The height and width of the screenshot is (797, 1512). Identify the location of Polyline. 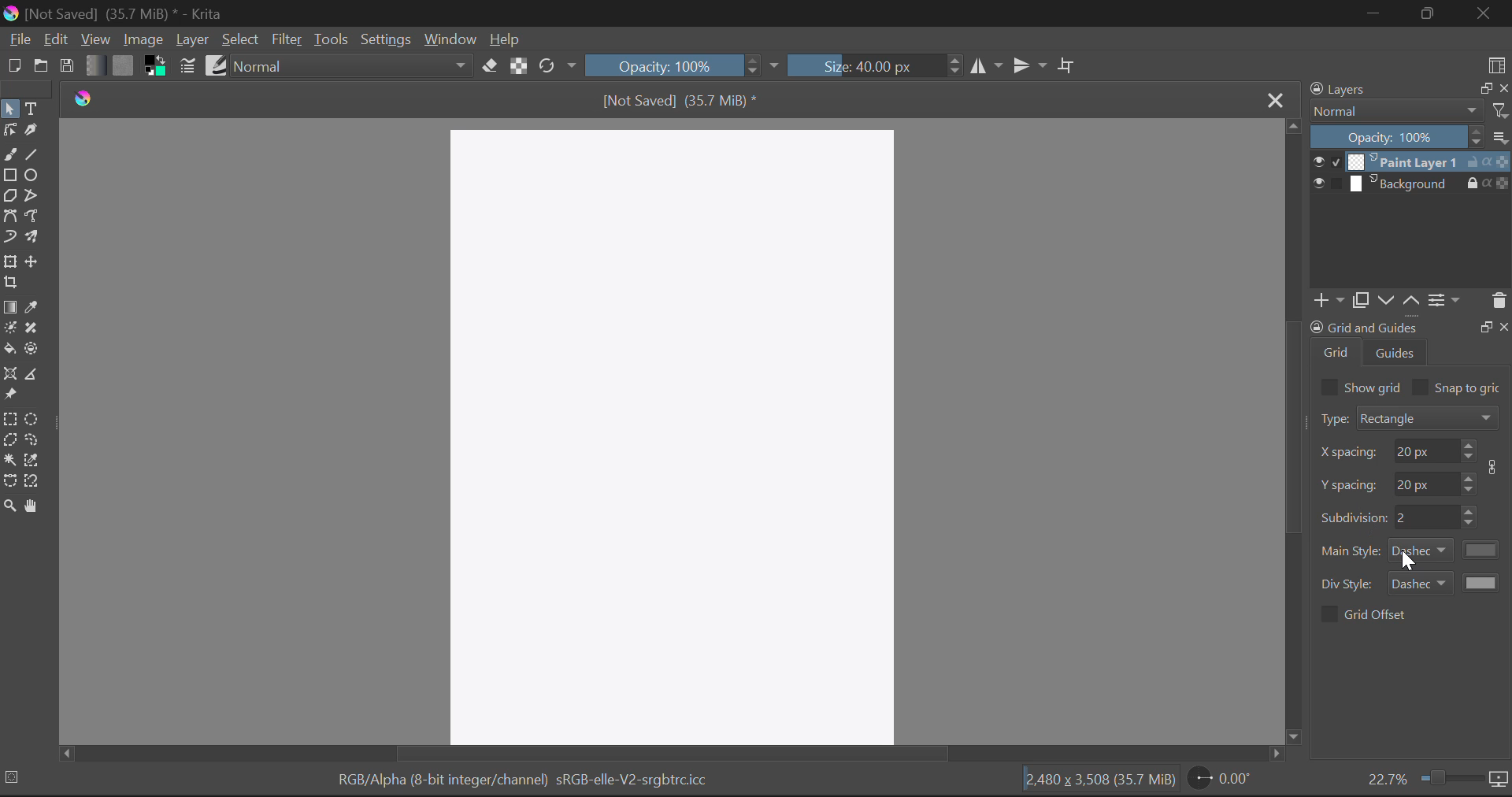
(37, 197).